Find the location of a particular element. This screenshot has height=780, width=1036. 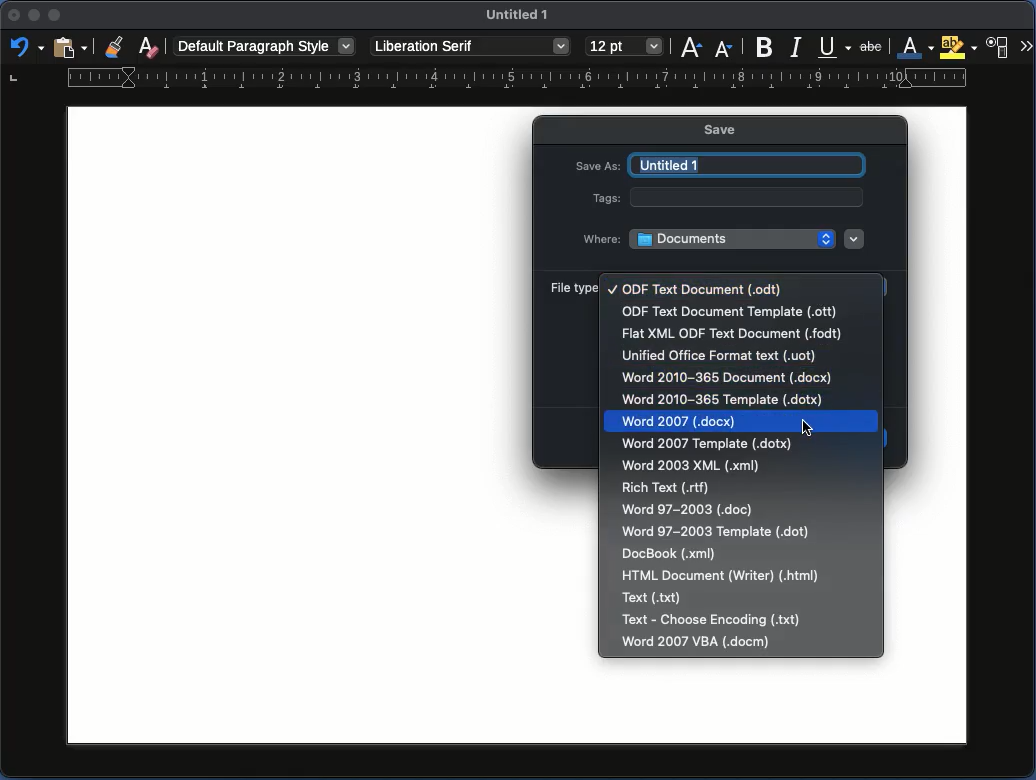

tags field is located at coordinates (751, 196).